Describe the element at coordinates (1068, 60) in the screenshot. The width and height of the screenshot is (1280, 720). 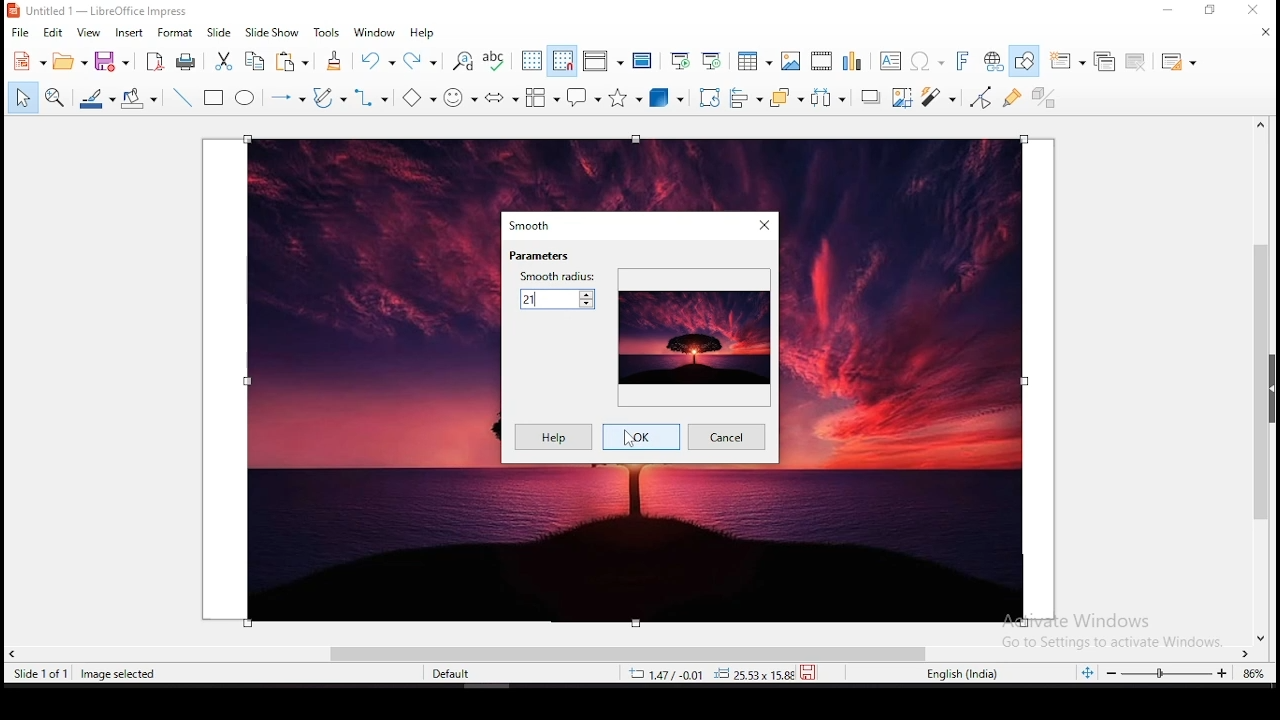
I see `new slide` at that location.